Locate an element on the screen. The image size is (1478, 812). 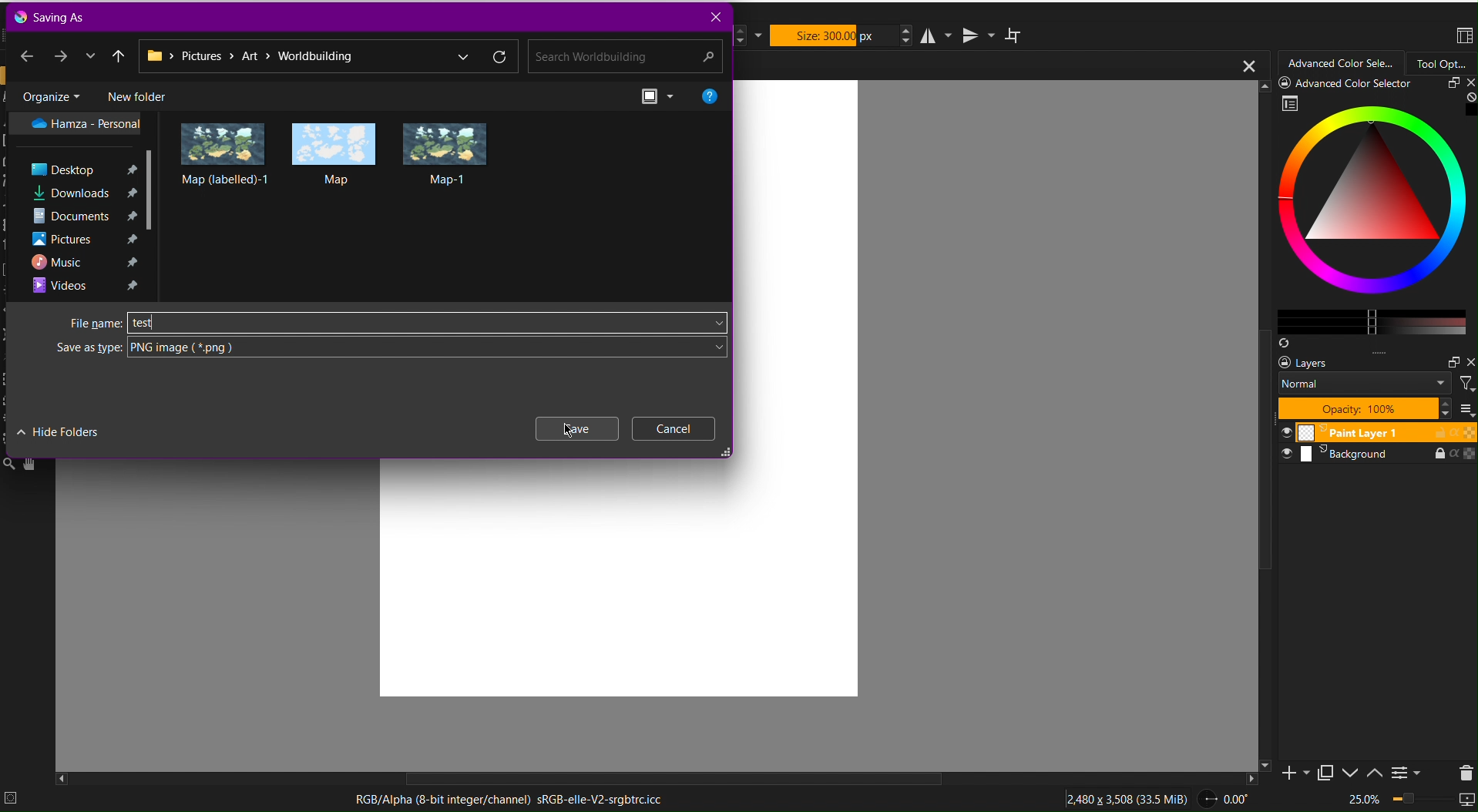
Tool Options is located at coordinates (1442, 63).